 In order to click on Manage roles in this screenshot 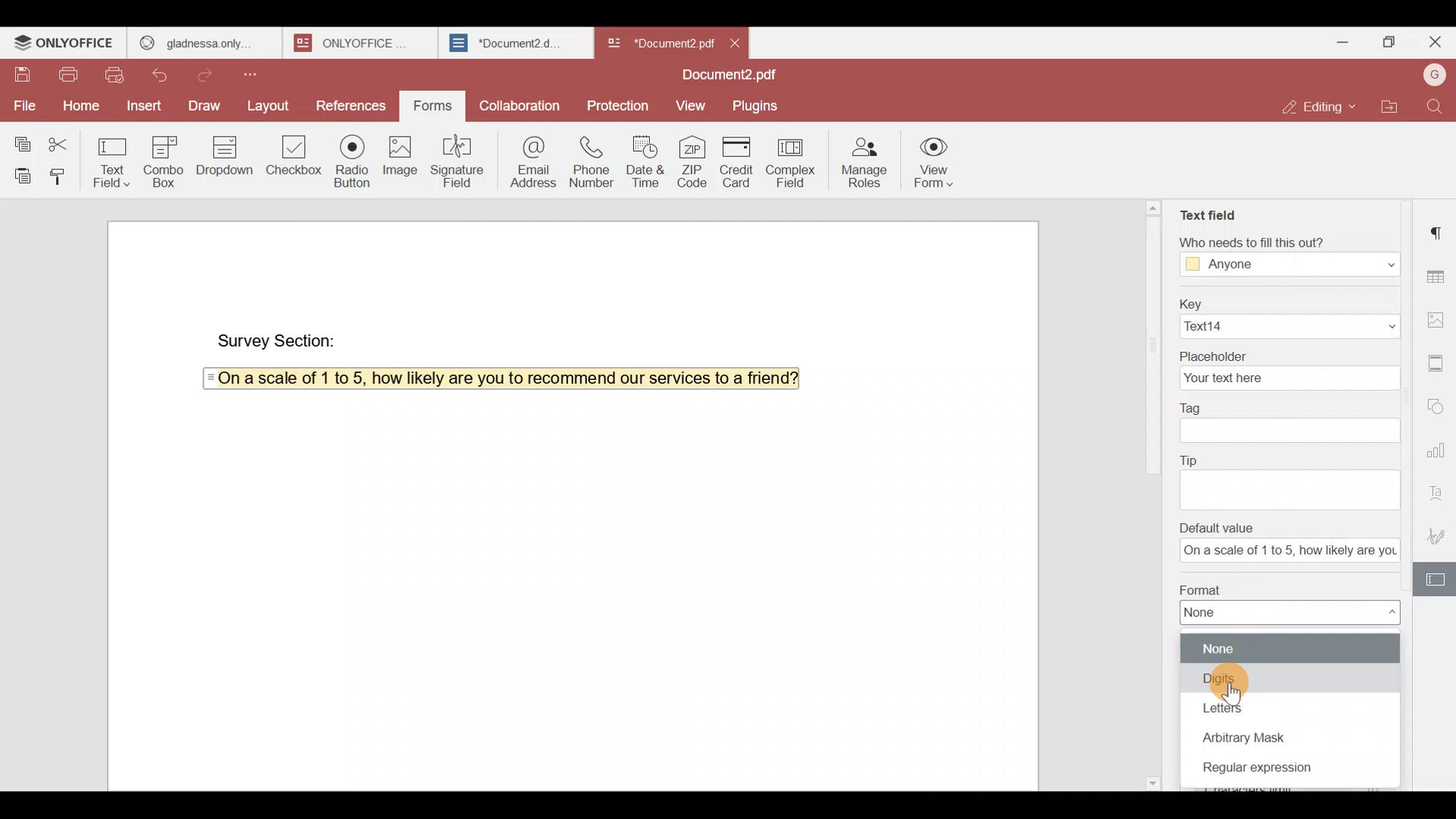, I will do `click(864, 160)`.